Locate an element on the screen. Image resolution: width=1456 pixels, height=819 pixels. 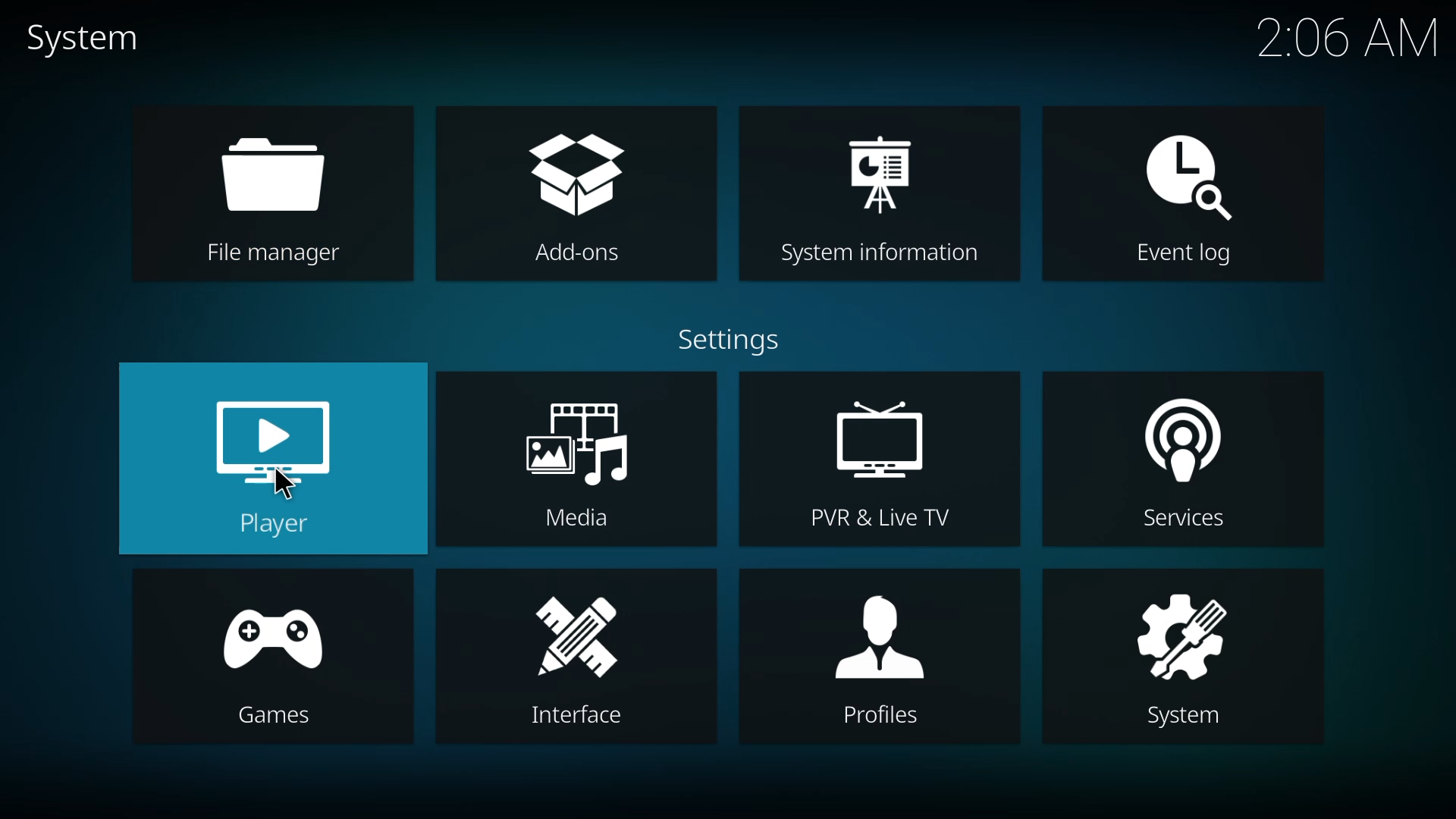
system information is located at coordinates (879, 199).